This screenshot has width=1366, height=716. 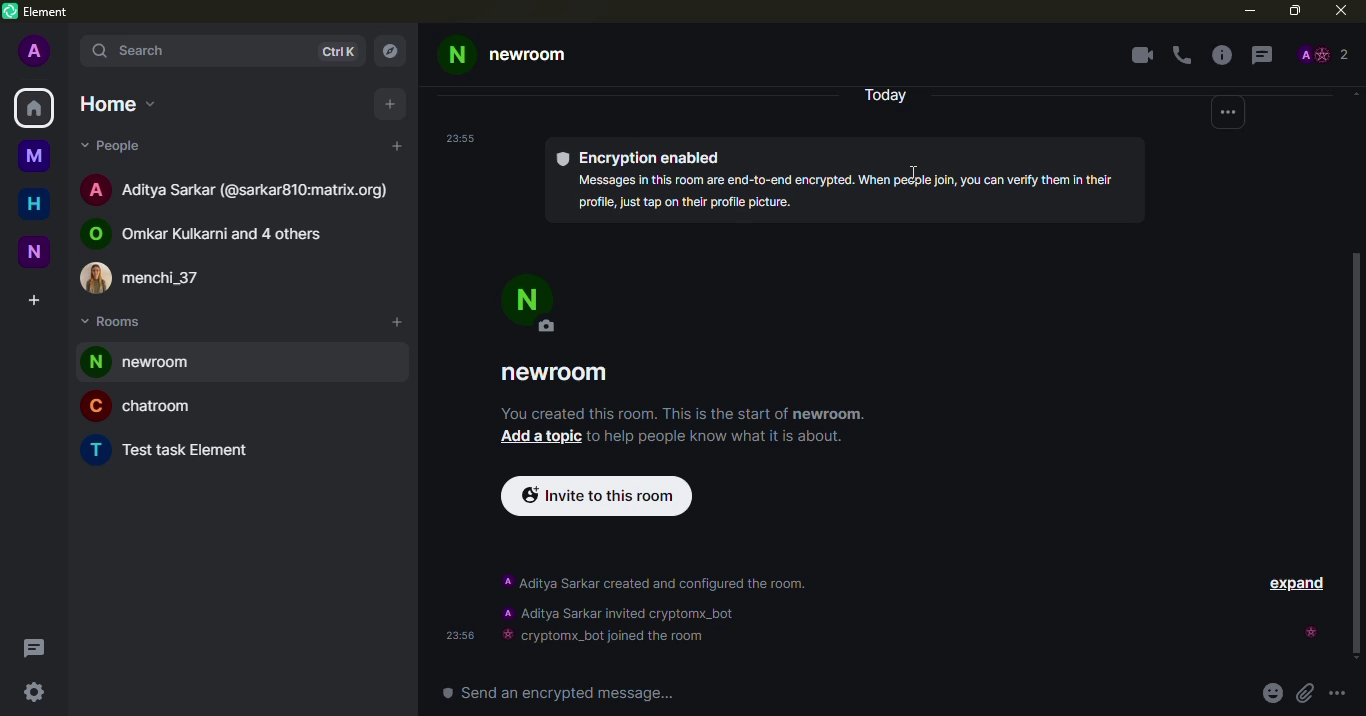 I want to click on scroll bar, so click(x=1361, y=455).